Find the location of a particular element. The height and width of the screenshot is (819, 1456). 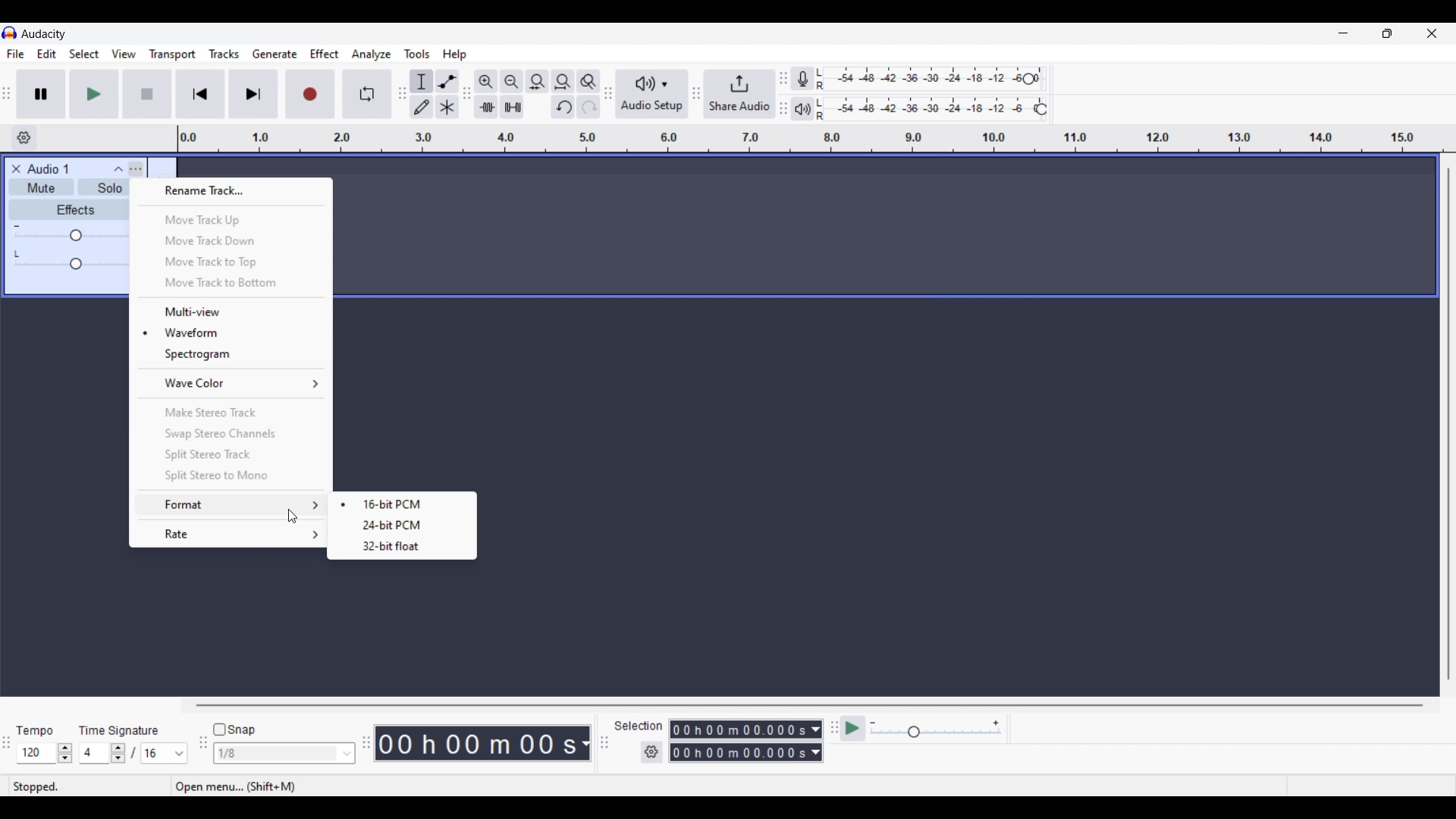

Rate options is located at coordinates (231, 534).